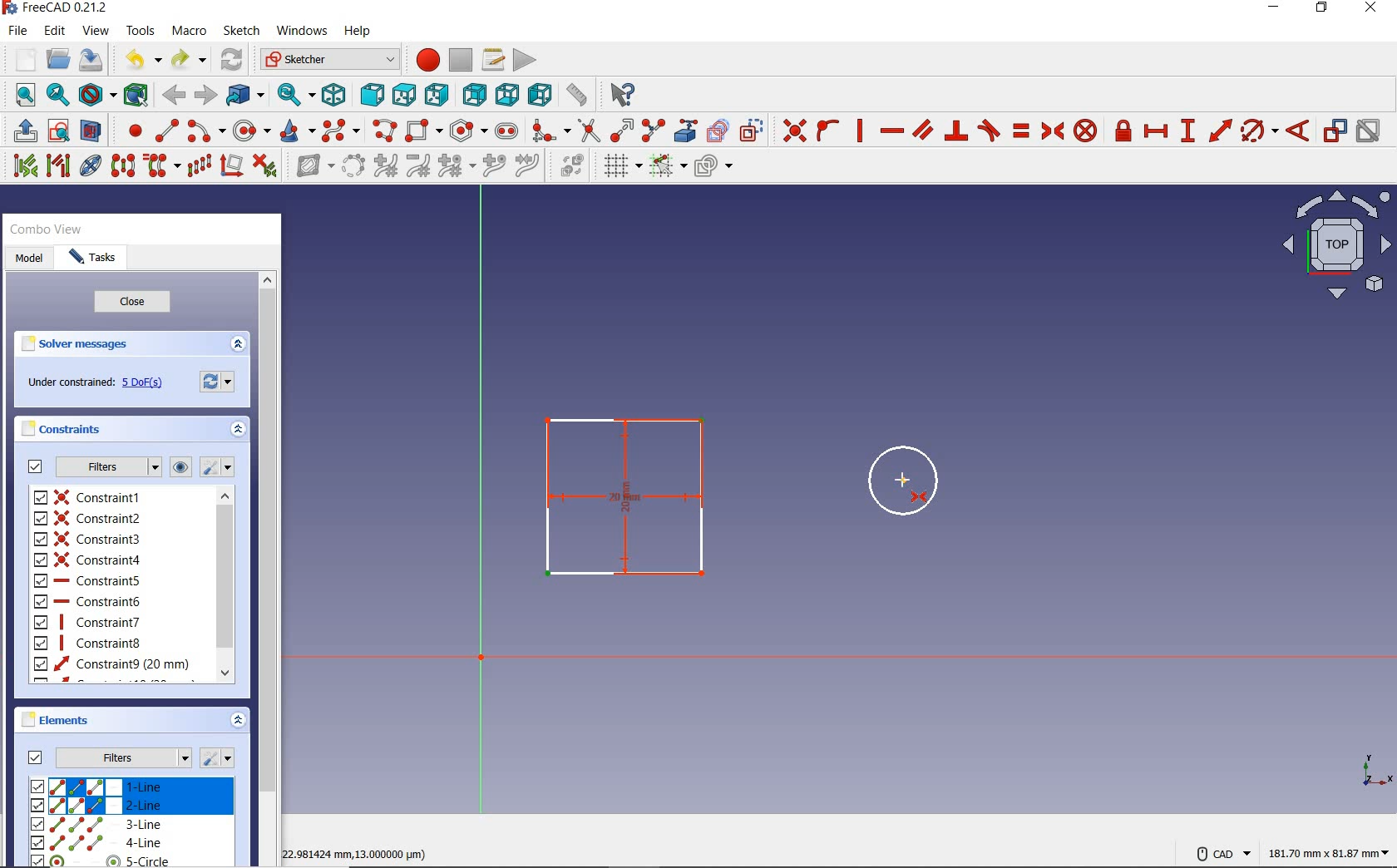  I want to click on show/hide b-spline information layer, so click(311, 167).